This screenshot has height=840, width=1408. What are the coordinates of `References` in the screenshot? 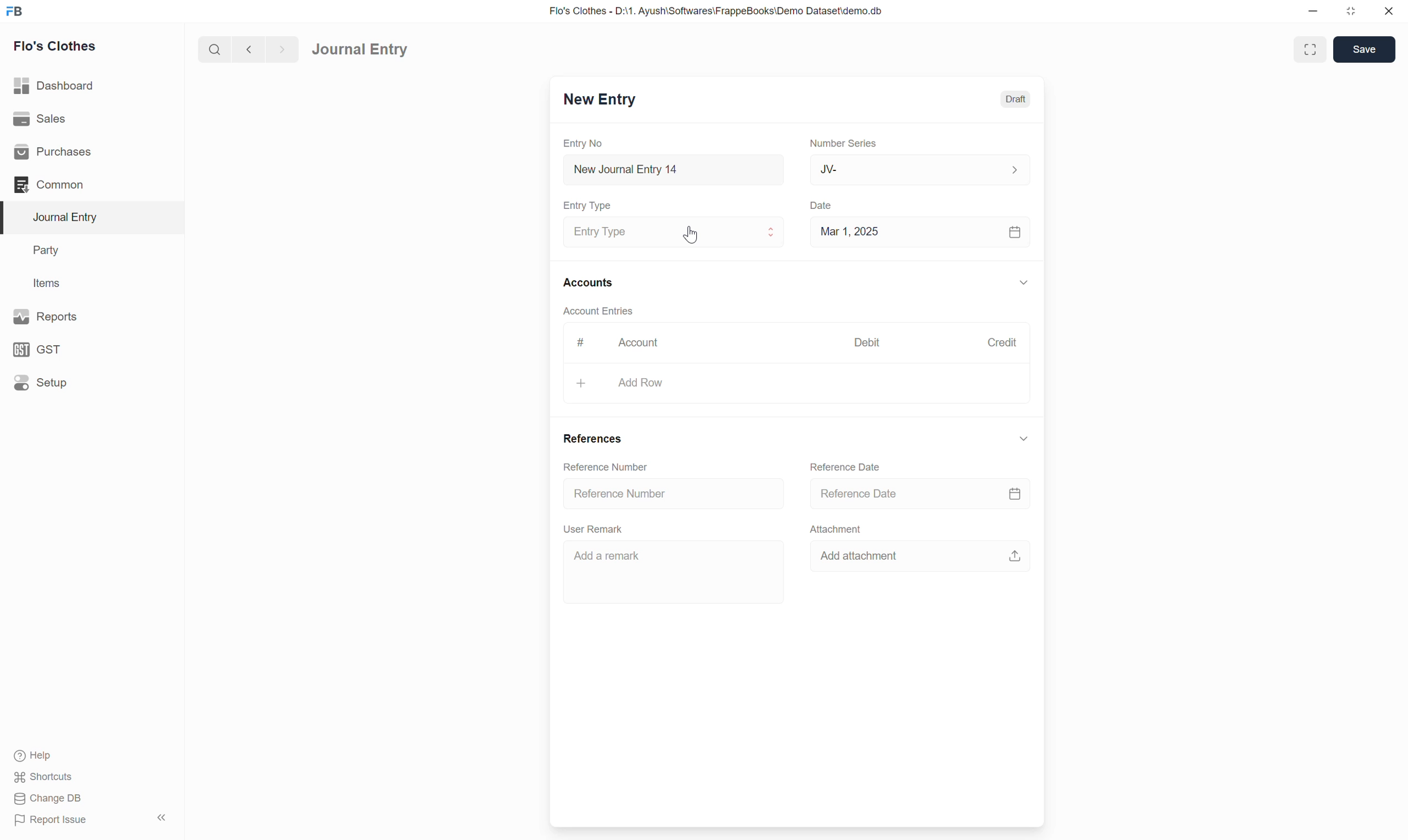 It's located at (592, 438).